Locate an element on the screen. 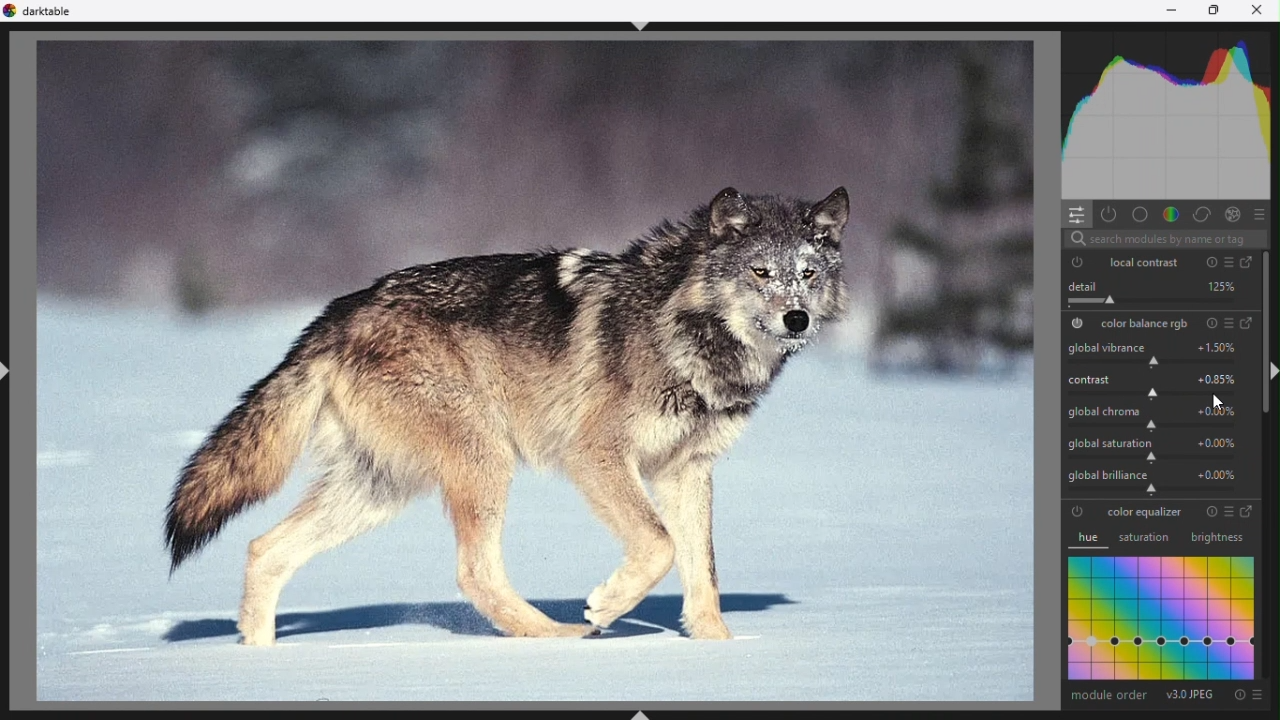  saturation is located at coordinates (1148, 538).